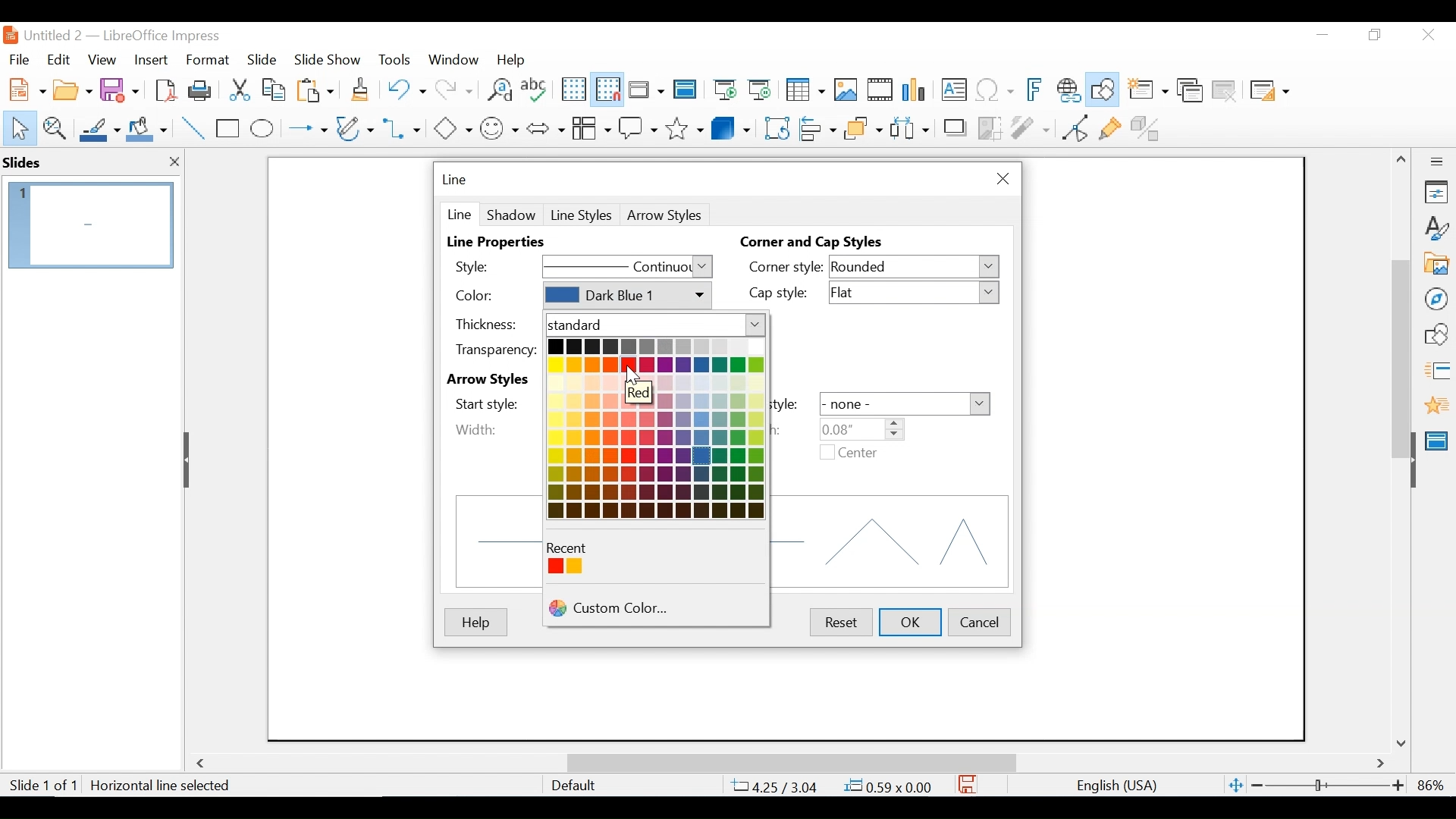 This screenshot has width=1456, height=819. Describe the element at coordinates (827, 452) in the screenshot. I see `checkbox` at that location.